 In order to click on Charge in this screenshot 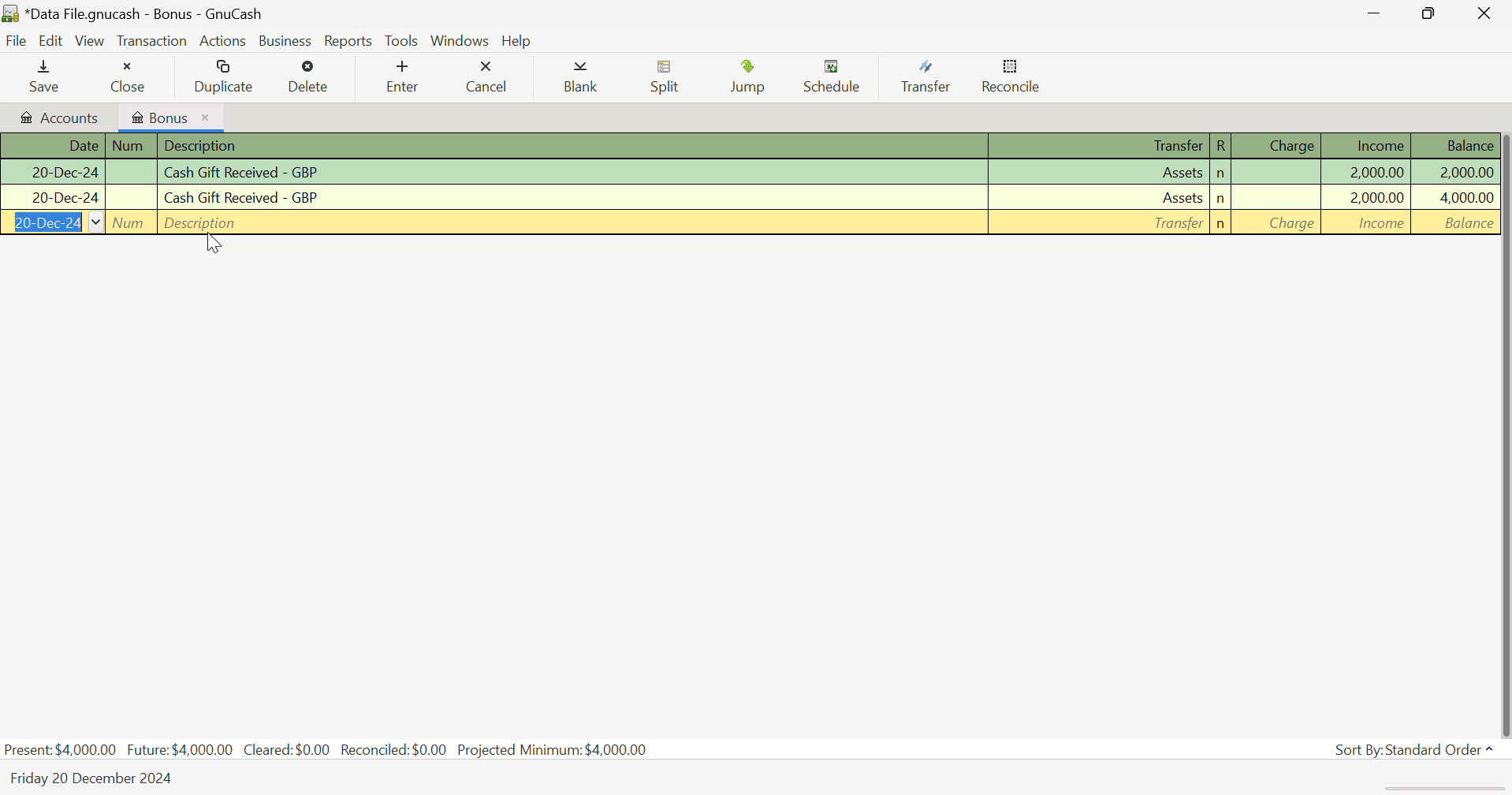, I will do `click(1277, 224)`.